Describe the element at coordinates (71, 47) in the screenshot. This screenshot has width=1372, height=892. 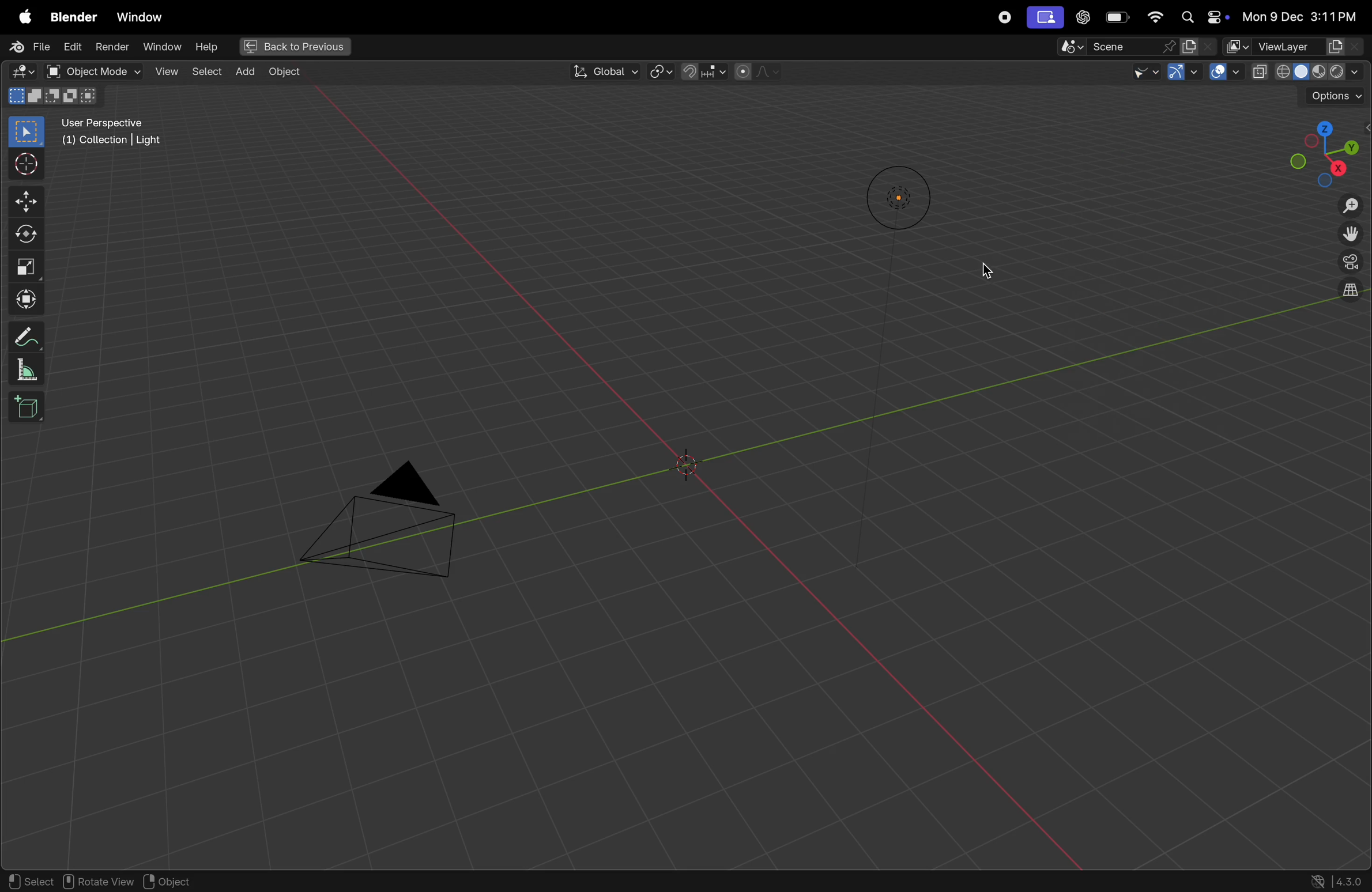
I see `edit` at that location.